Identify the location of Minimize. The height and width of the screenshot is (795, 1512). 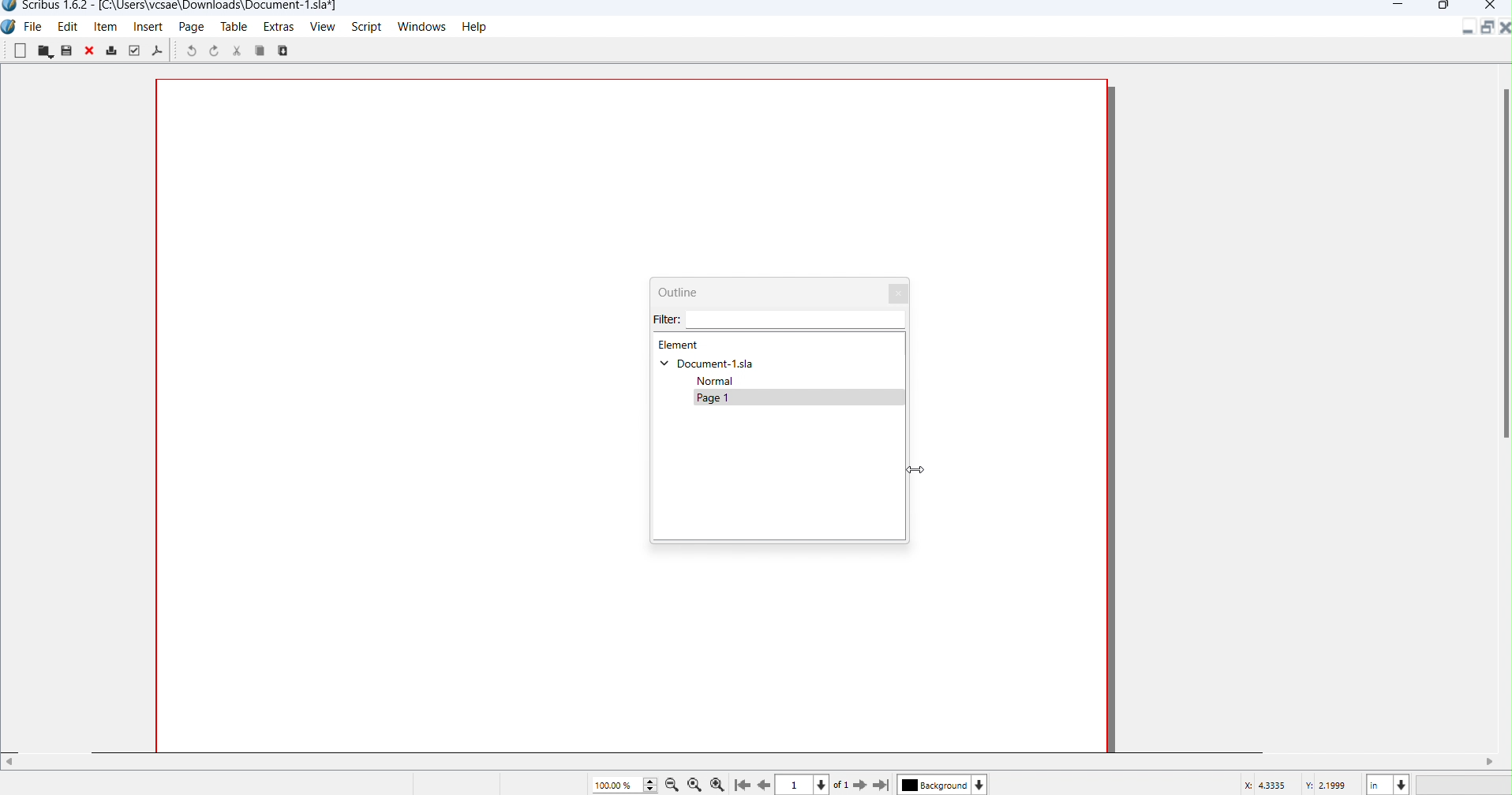
(1470, 31).